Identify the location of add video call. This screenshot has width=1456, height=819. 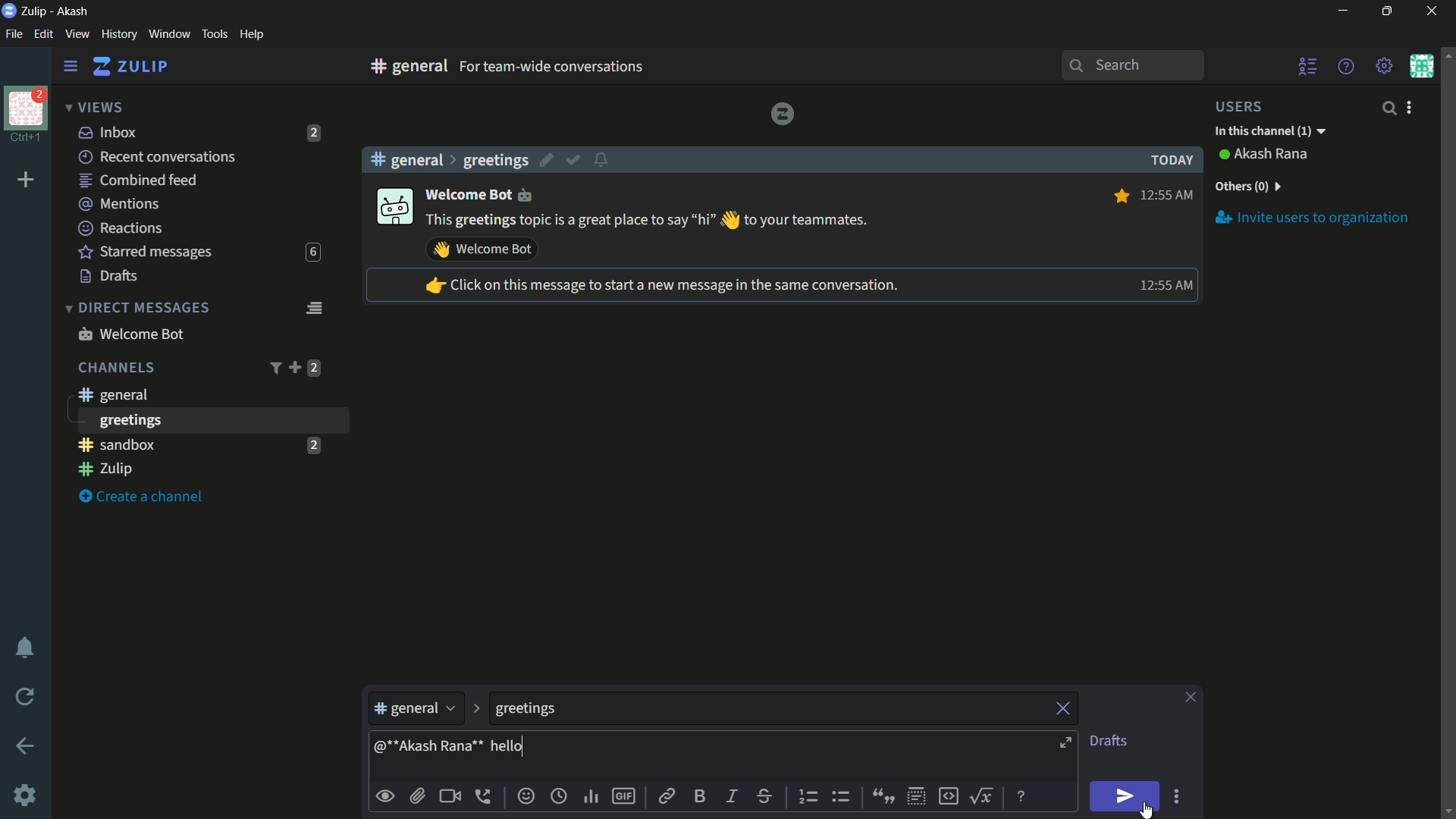
(450, 796).